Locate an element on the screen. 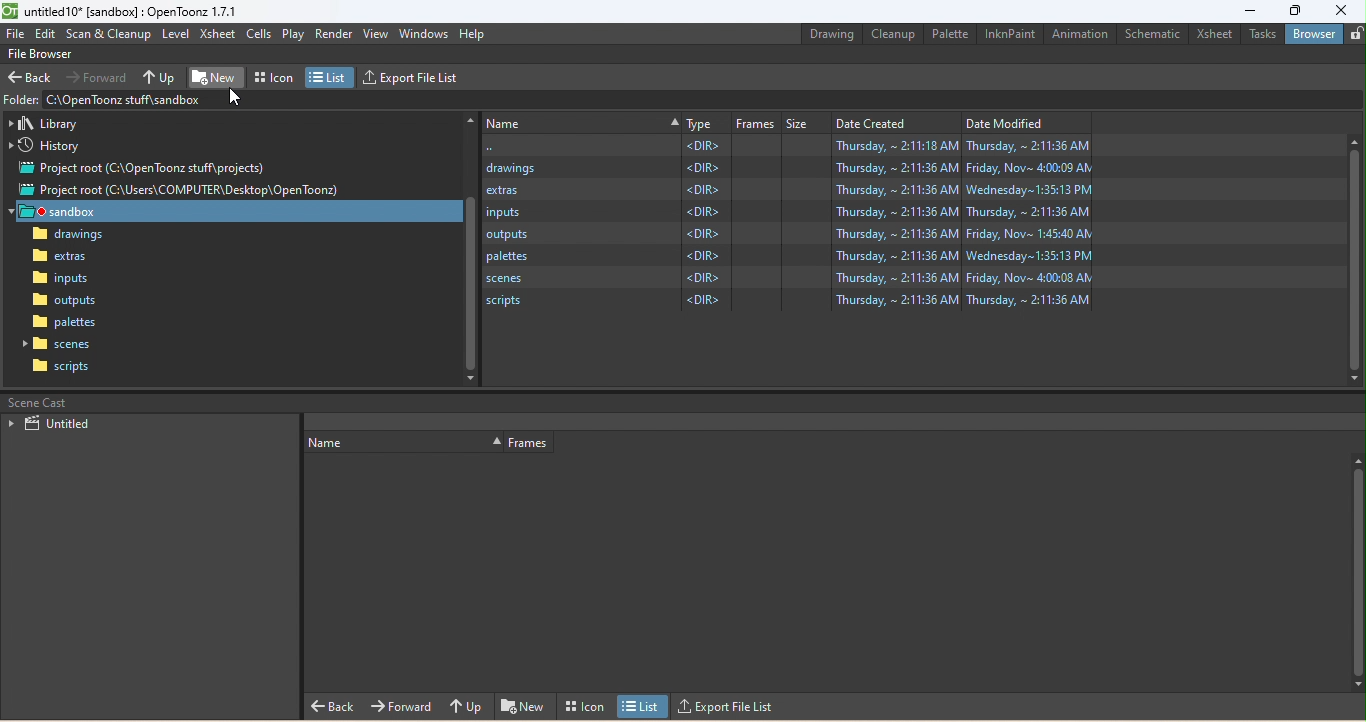  drawings is located at coordinates (68, 235).